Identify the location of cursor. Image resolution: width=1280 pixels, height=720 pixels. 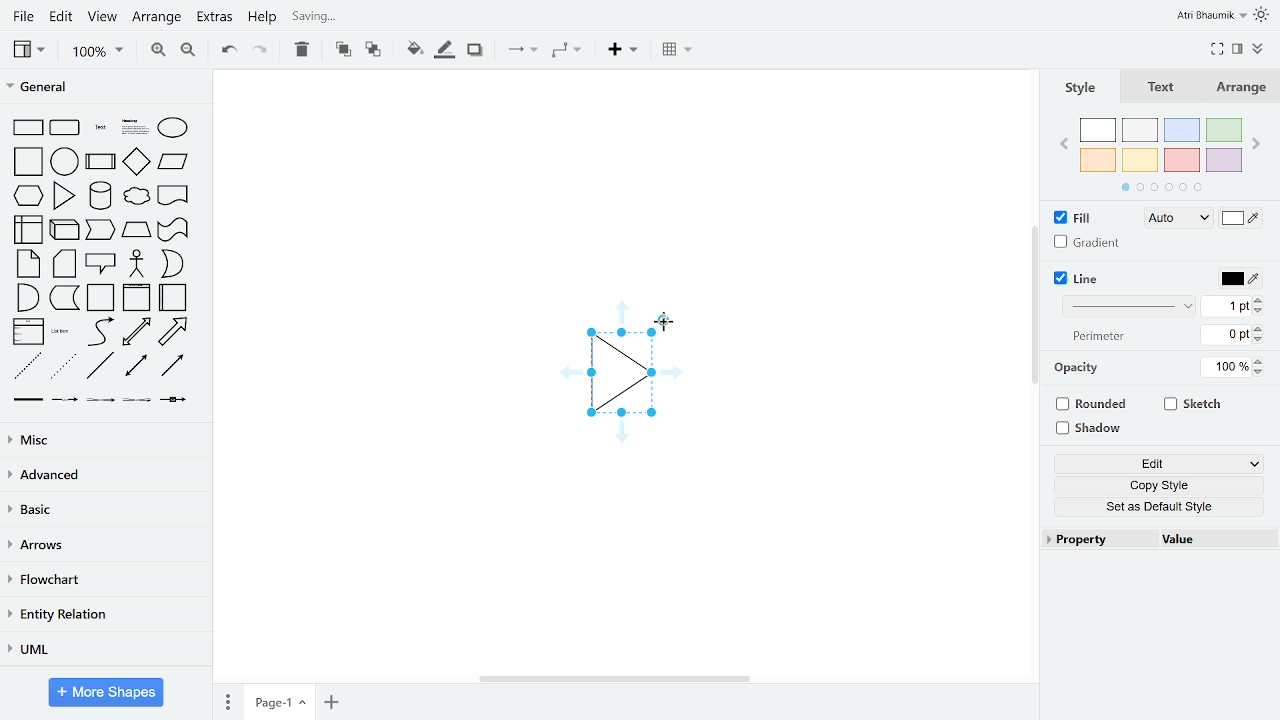
(666, 322).